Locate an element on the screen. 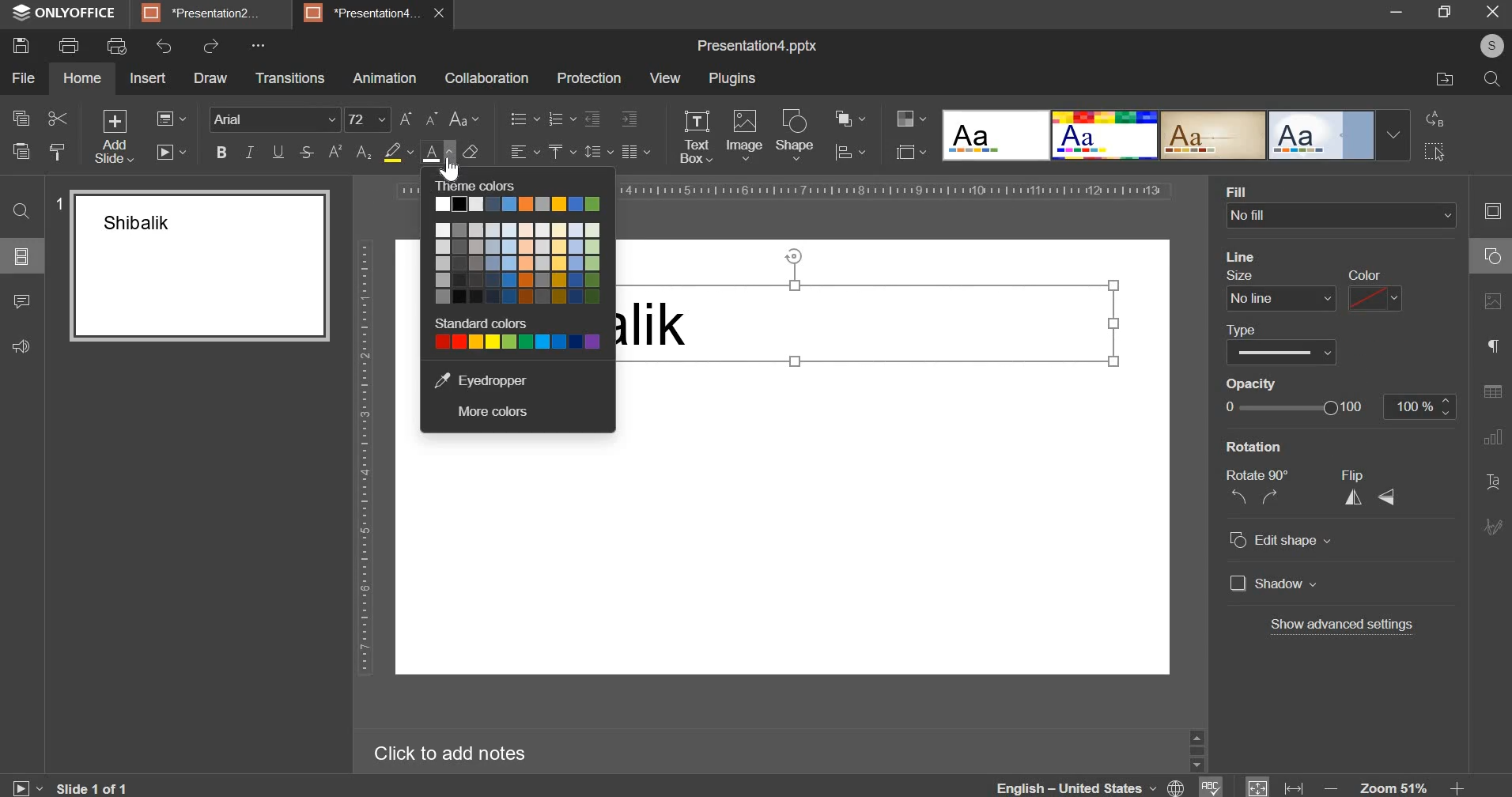 The width and height of the screenshot is (1512, 797). slideshow is located at coordinates (170, 152).